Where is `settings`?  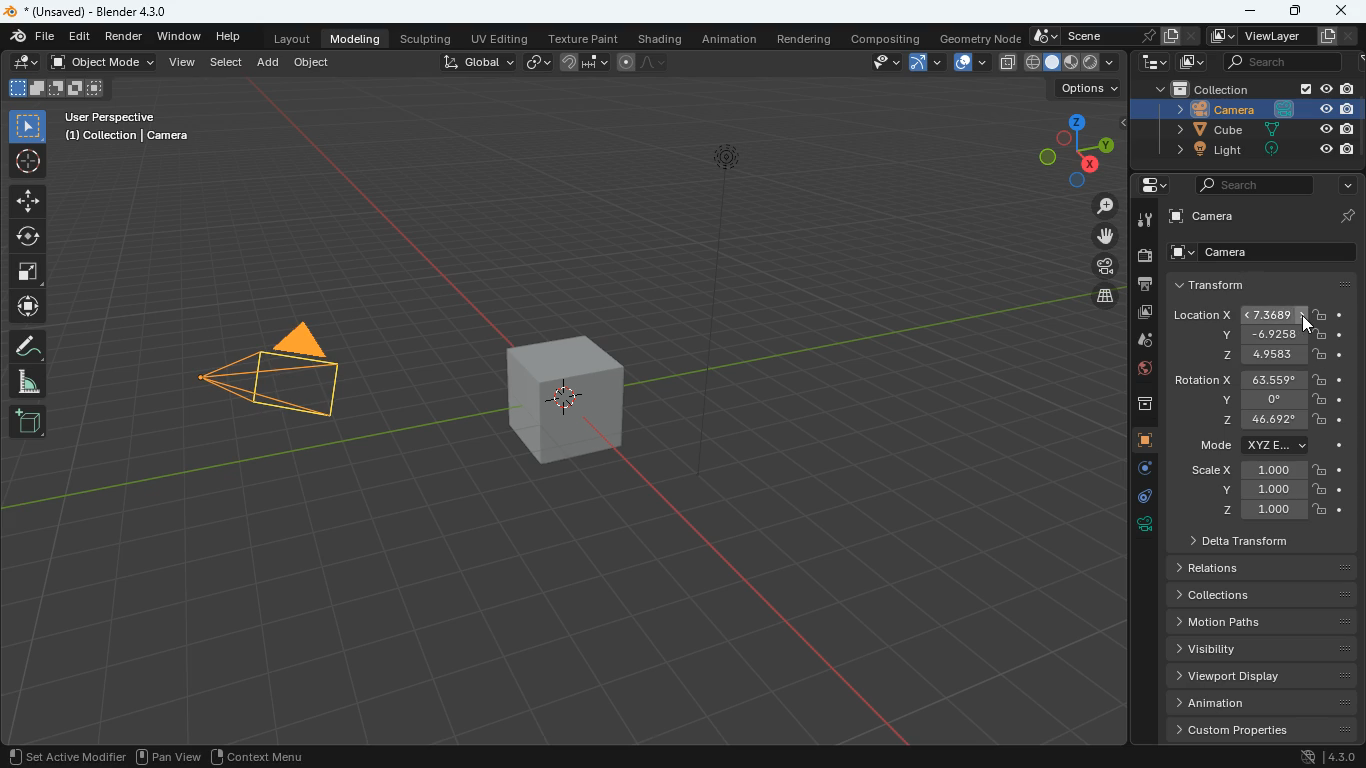
settings is located at coordinates (1147, 185).